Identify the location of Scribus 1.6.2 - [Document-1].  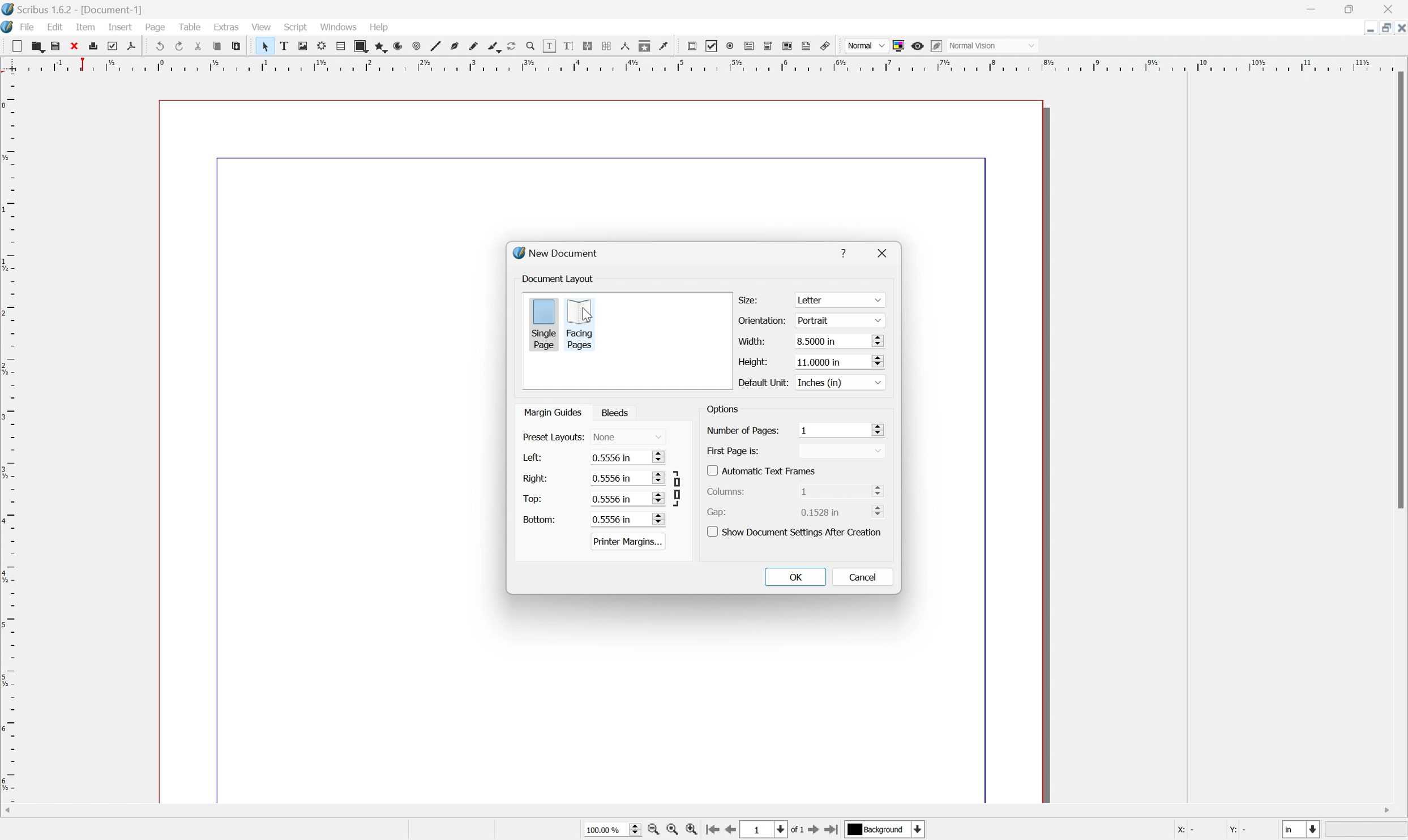
(76, 9).